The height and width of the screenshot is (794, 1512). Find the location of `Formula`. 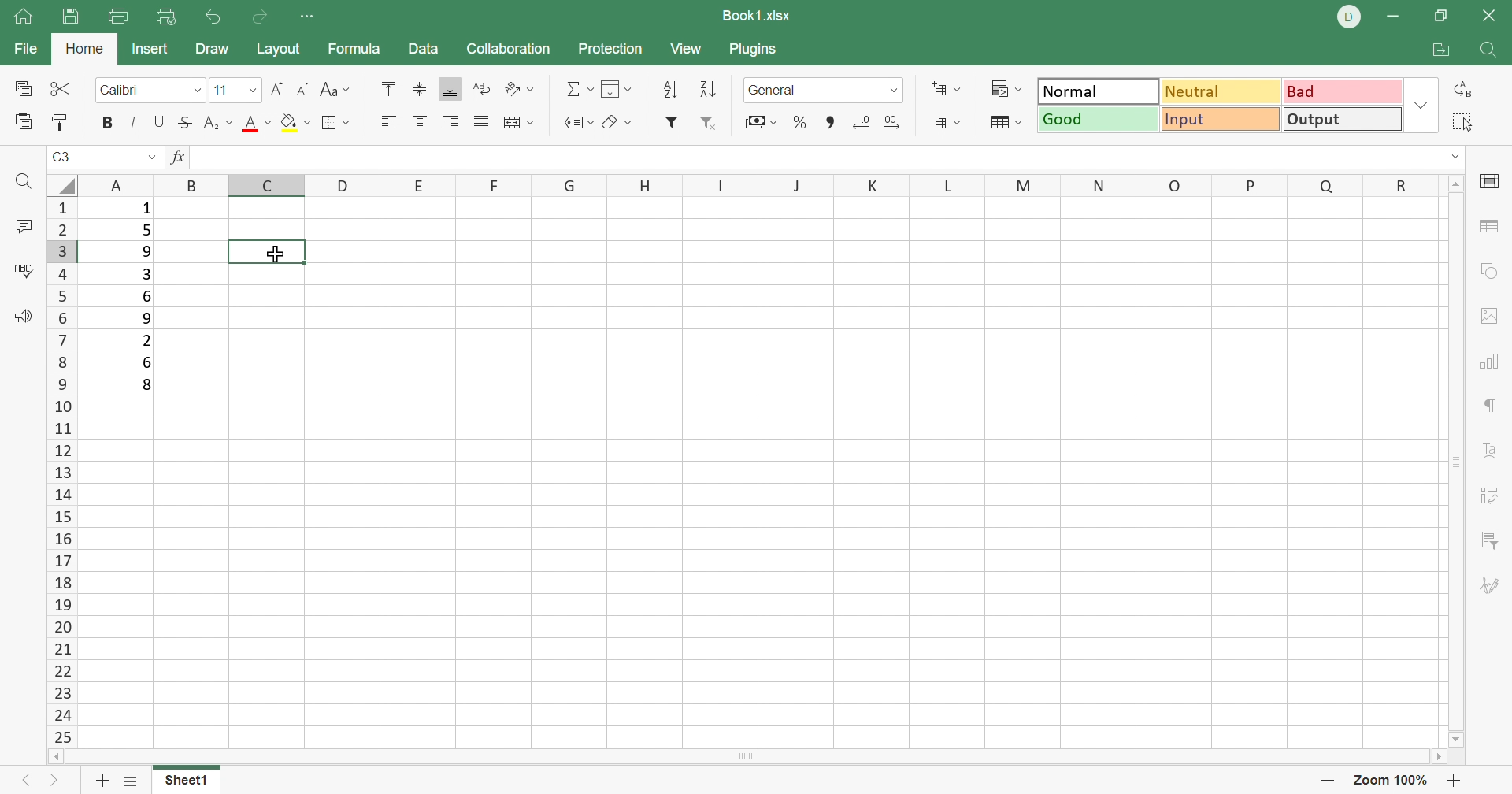

Formula is located at coordinates (353, 51).